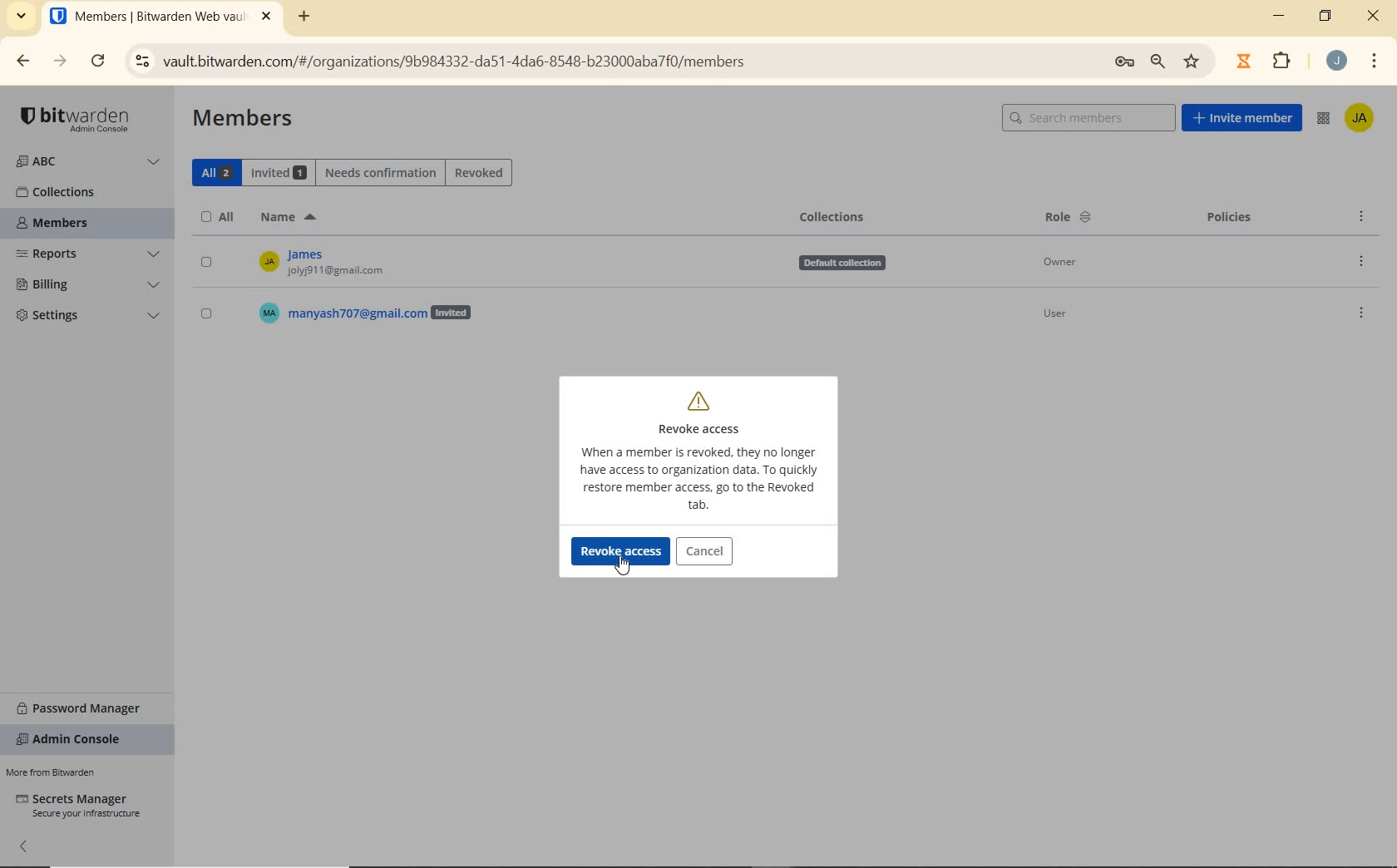 Image resolution: width=1397 pixels, height=868 pixels. I want to click on BACK, so click(24, 62).